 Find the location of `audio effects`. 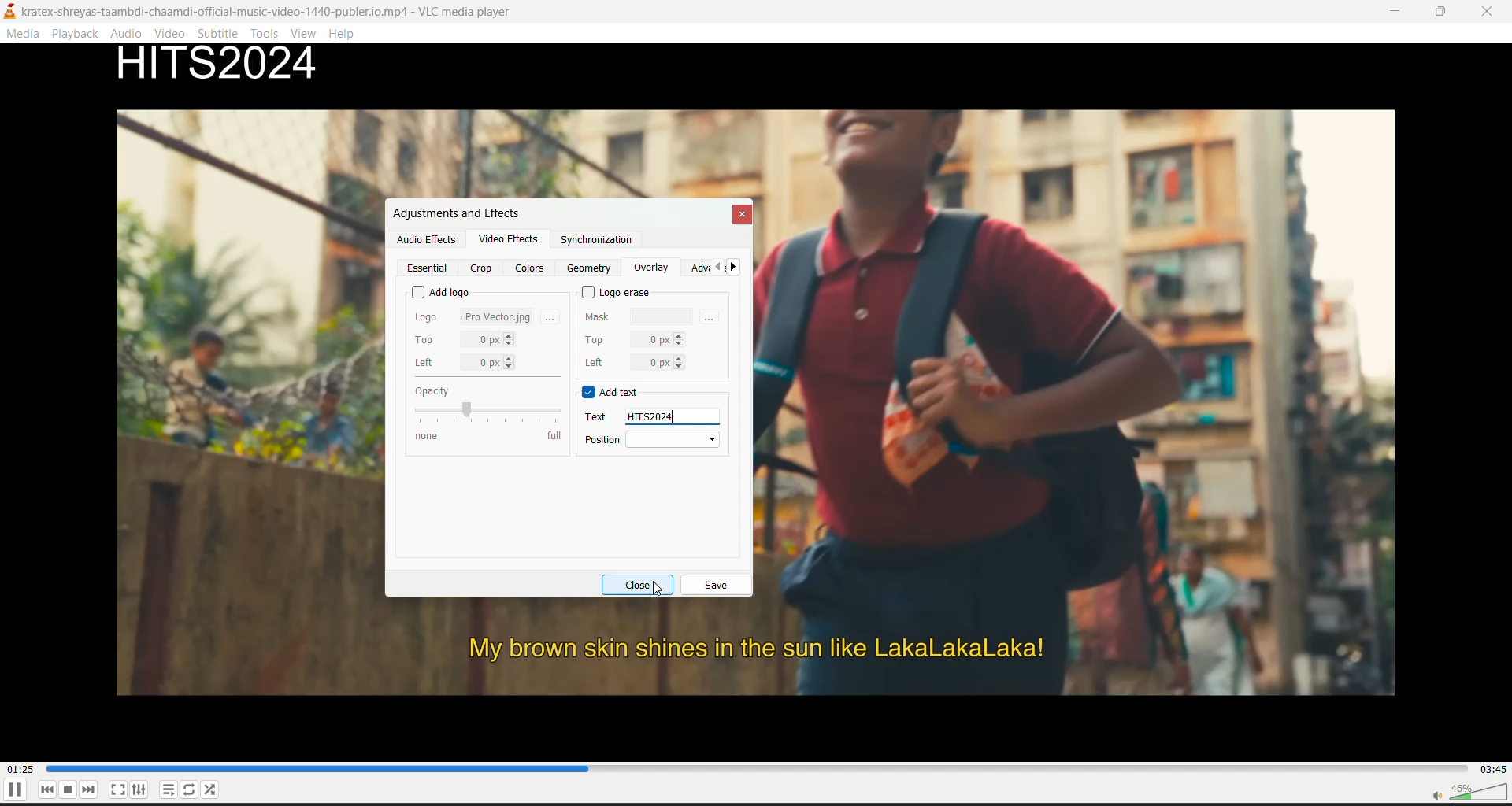

audio effects is located at coordinates (426, 239).